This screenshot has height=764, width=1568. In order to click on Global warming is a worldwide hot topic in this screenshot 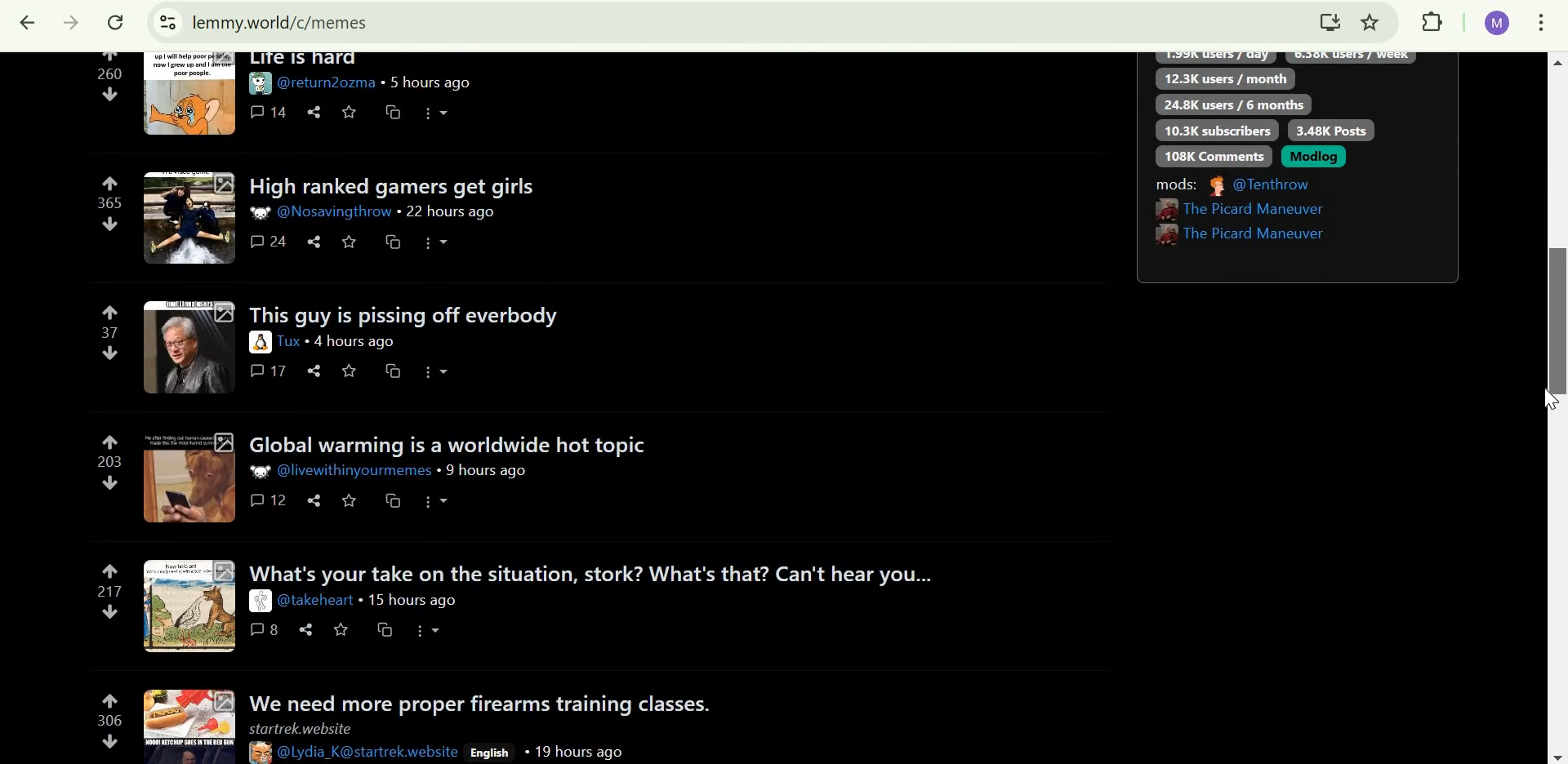, I will do `click(457, 443)`.